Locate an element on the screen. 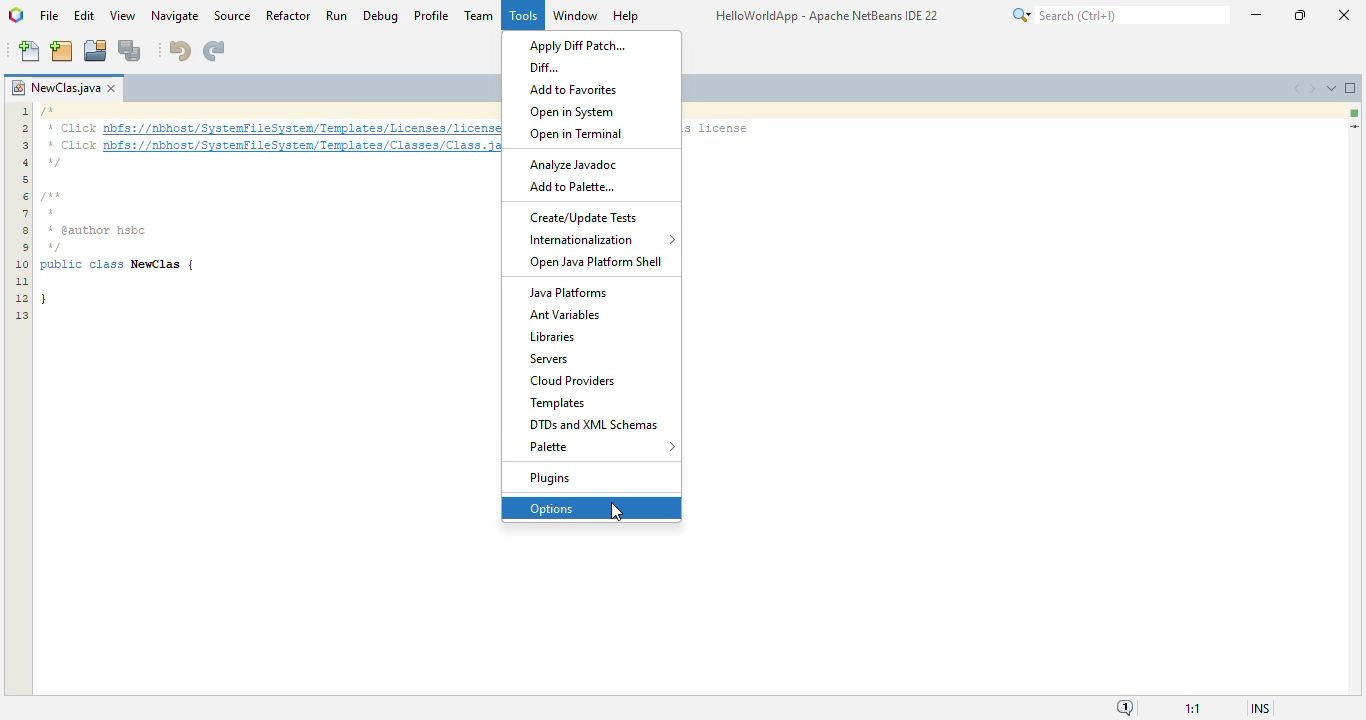  internationalization is located at coordinates (603, 240).